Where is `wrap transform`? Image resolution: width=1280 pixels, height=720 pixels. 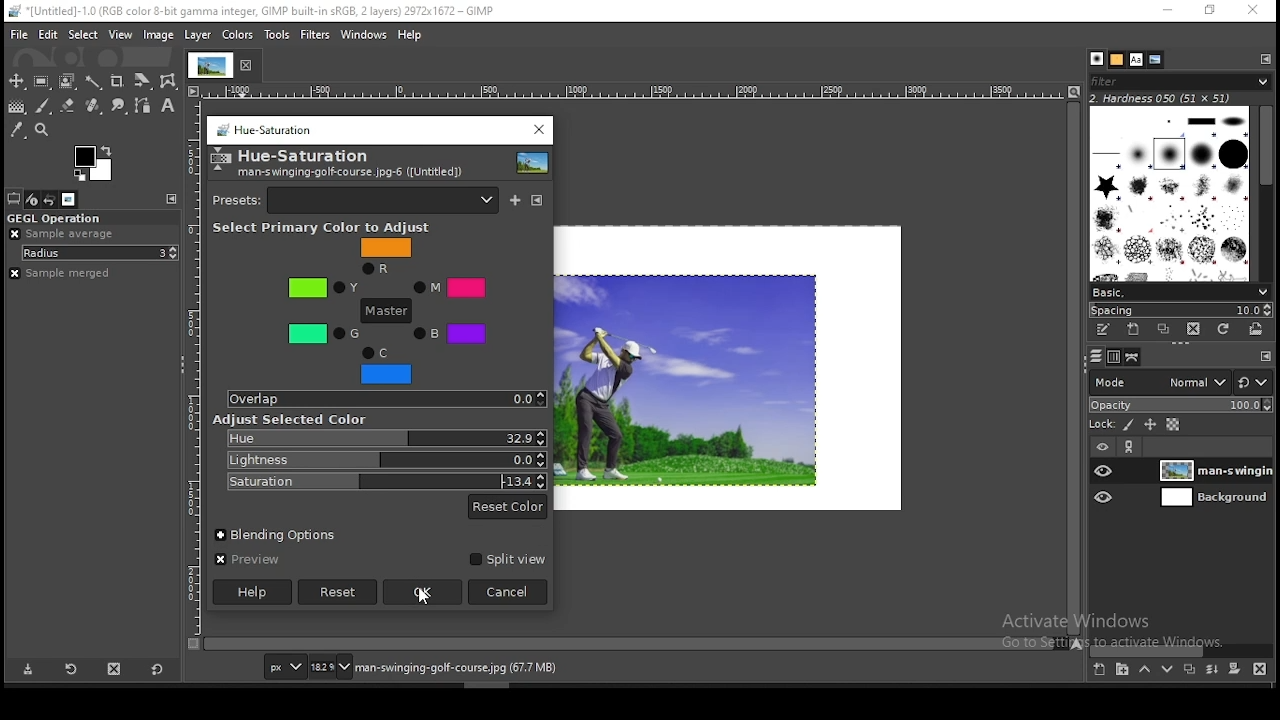
wrap transform is located at coordinates (168, 82).